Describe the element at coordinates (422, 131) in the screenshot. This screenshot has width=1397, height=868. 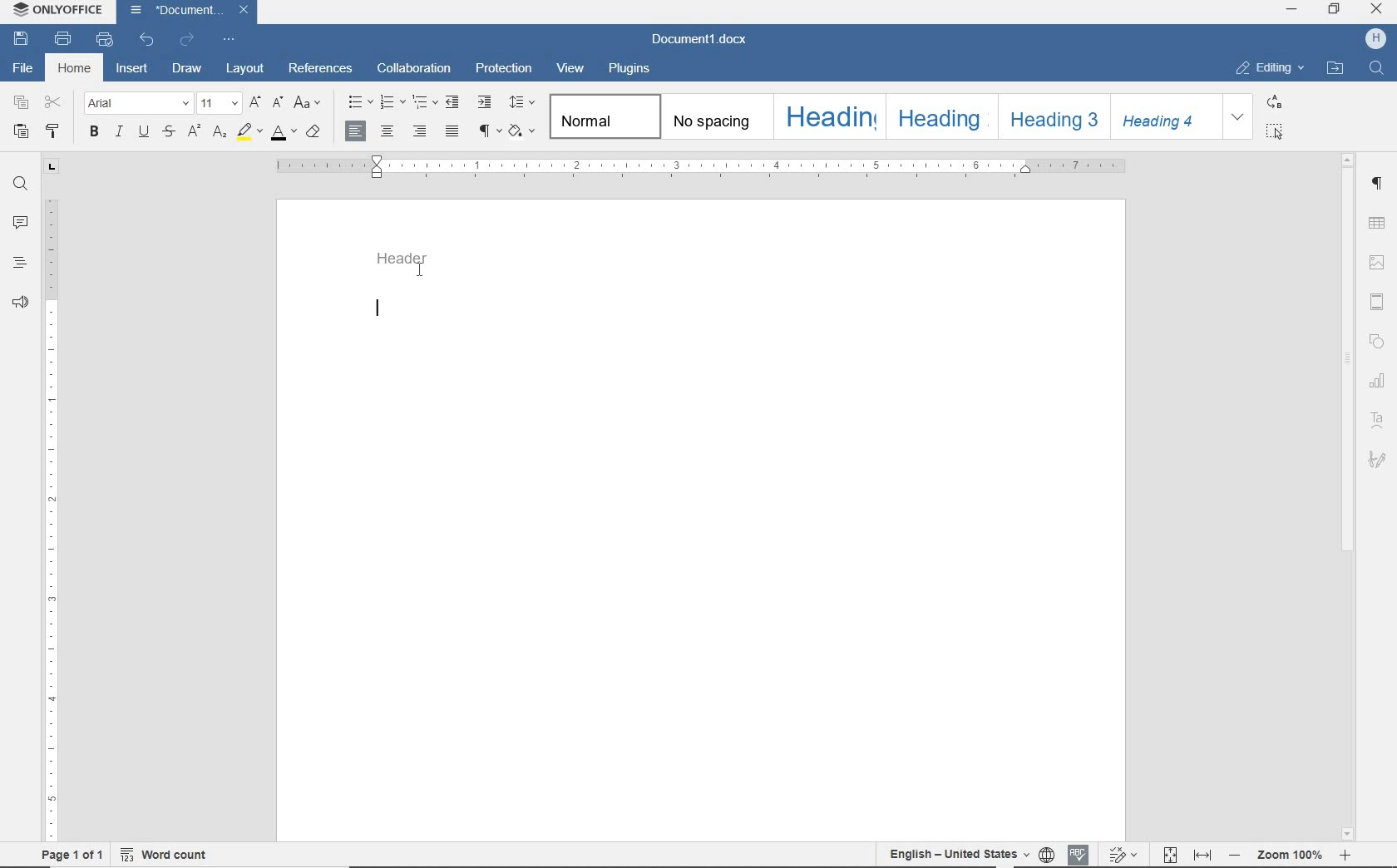
I see `align right` at that location.